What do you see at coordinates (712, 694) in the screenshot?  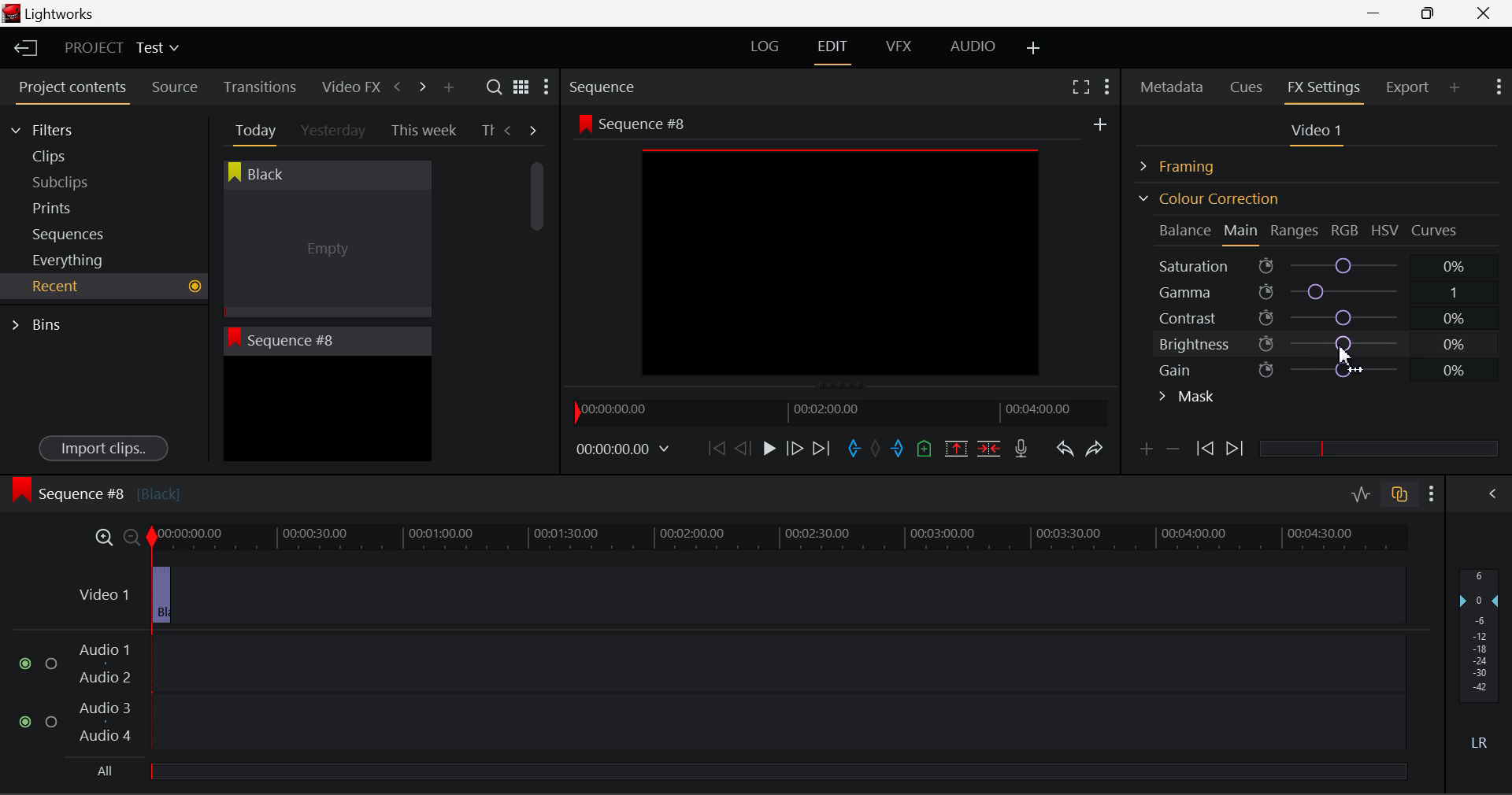 I see `Audio Input Fields` at bounding box center [712, 694].